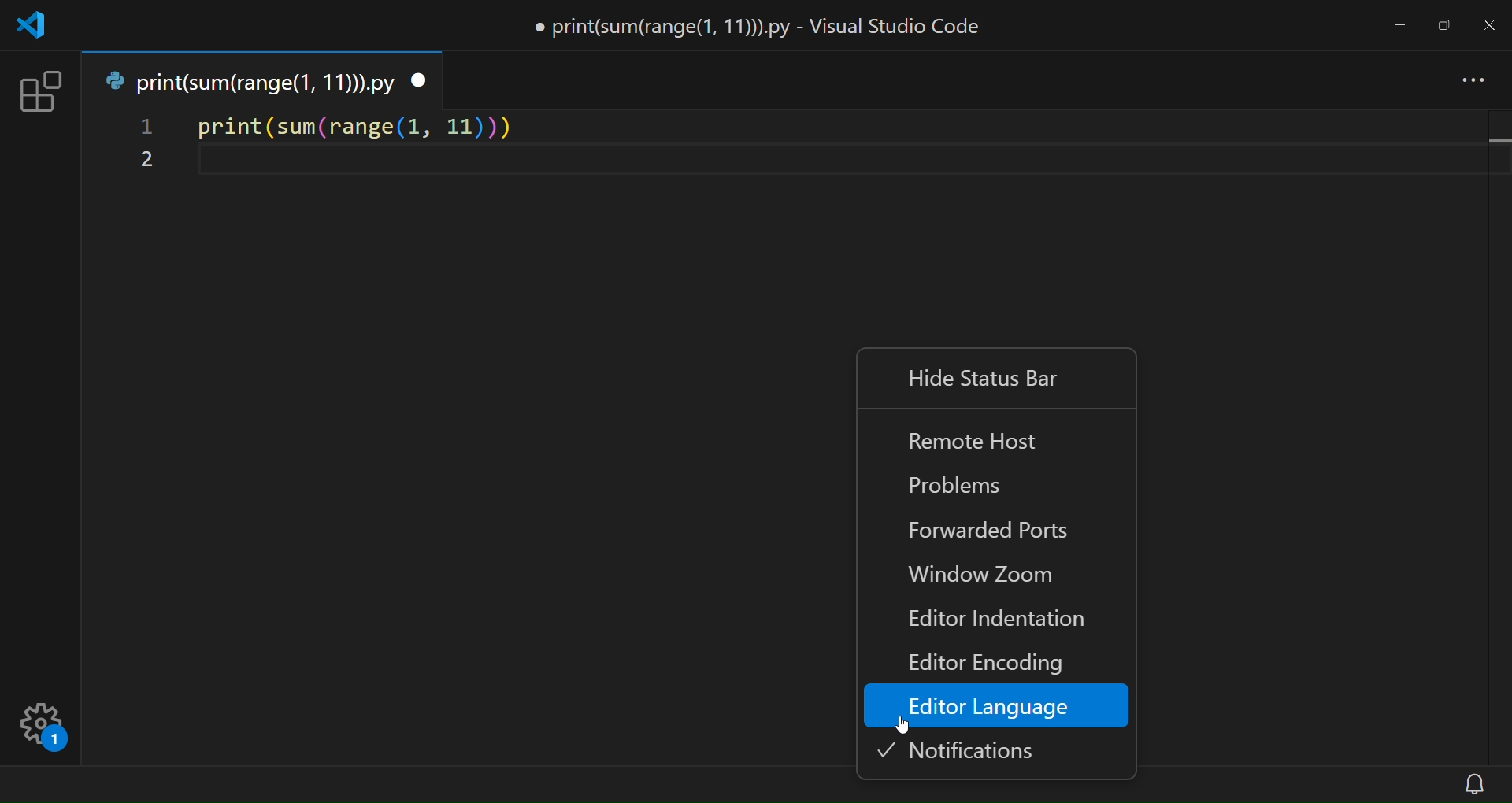 The width and height of the screenshot is (1512, 803). I want to click on editor information, so click(990, 621).